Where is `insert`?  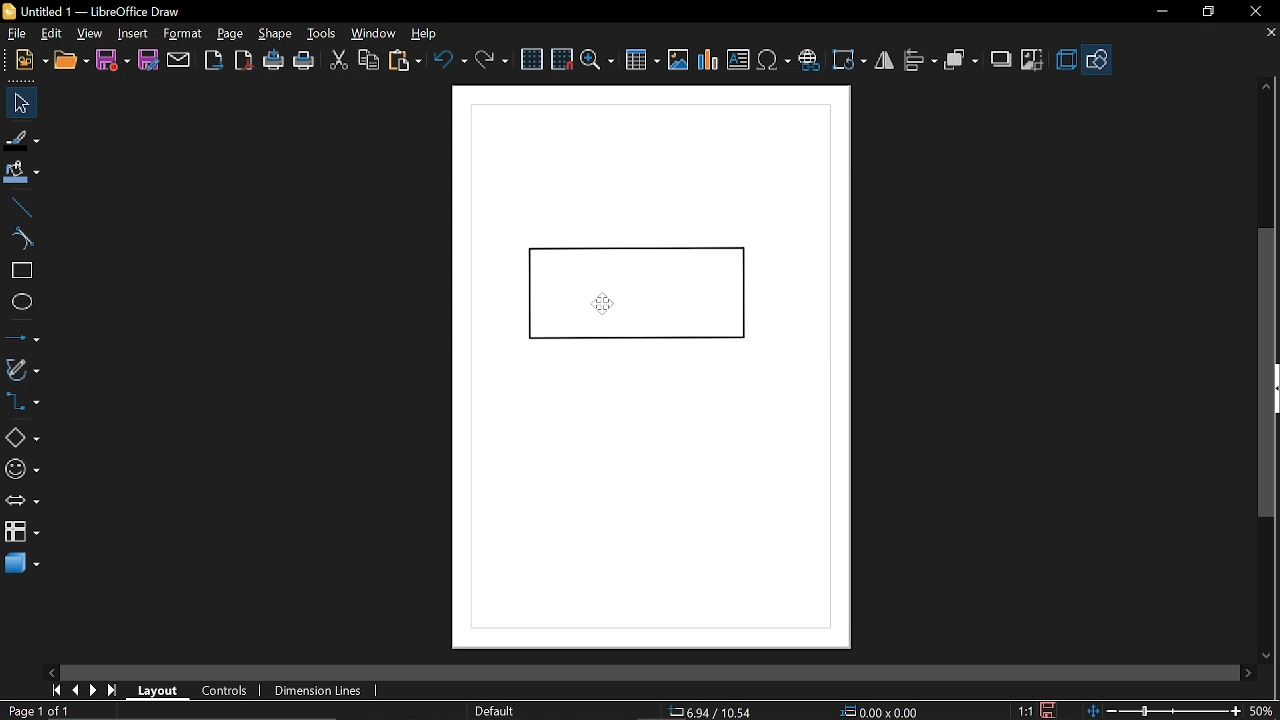
insert is located at coordinates (136, 34).